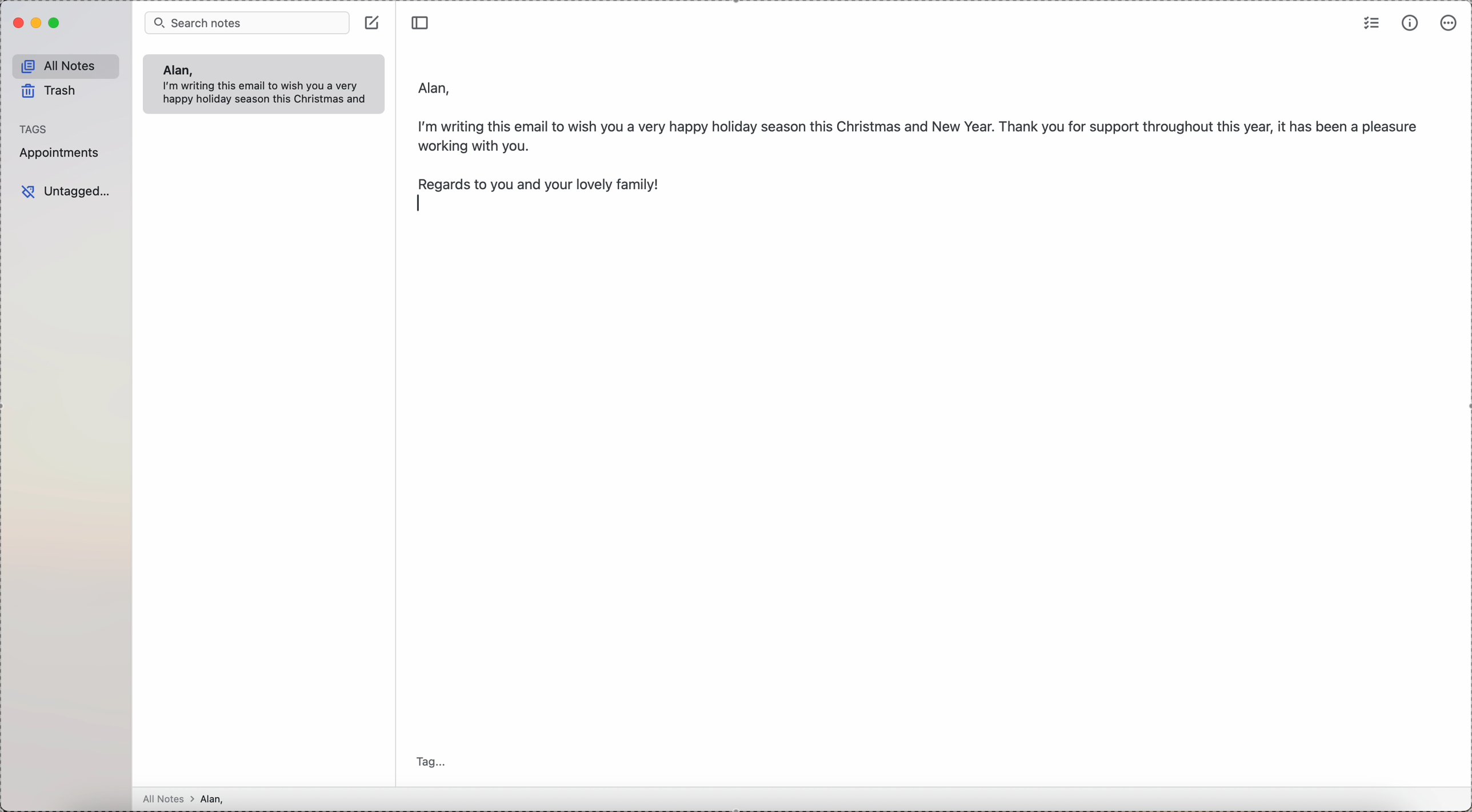 Image resolution: width=1472 pixels, height=812 pixels. What do you see at coordinates (62, 153) in the screenshot?
I see `appointments` at bounding box center [62, 153].